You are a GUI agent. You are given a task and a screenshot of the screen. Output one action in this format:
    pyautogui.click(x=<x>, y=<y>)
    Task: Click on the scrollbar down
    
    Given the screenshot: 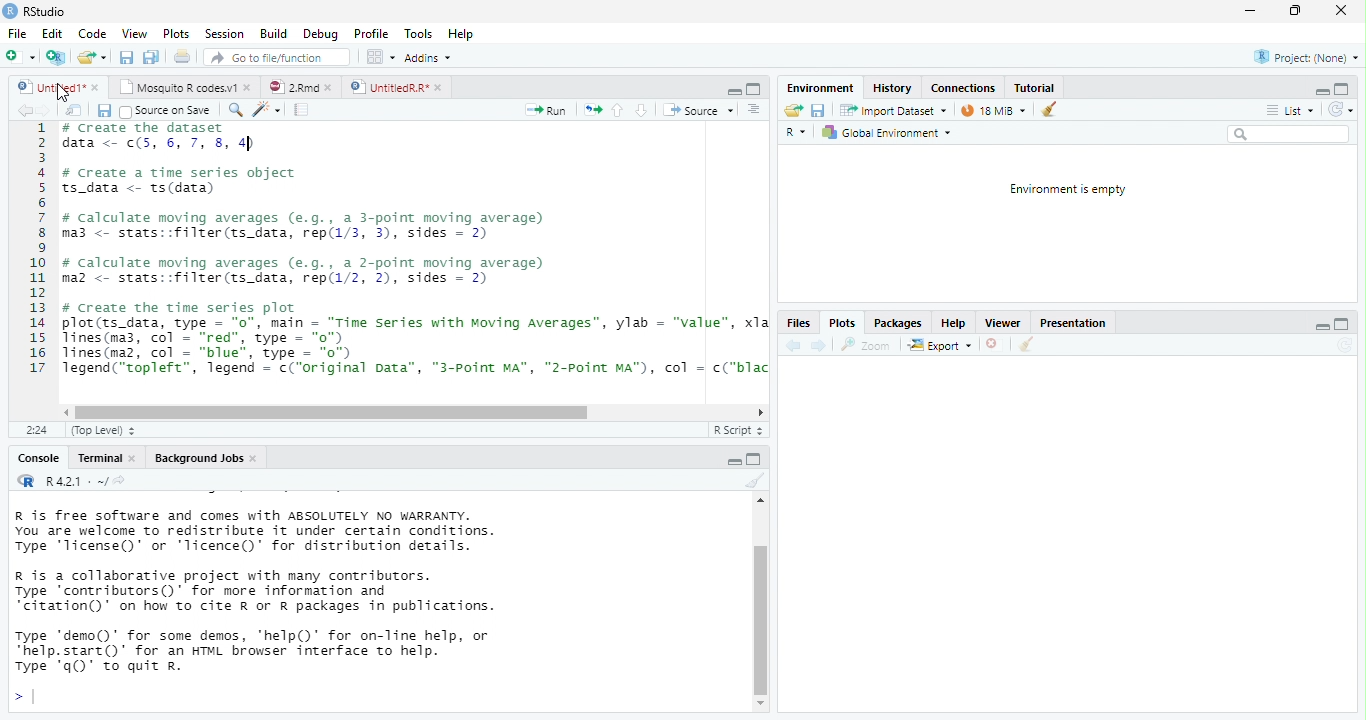 What is the action you would take?
    pyautogui.click(x=761, y=704)
    